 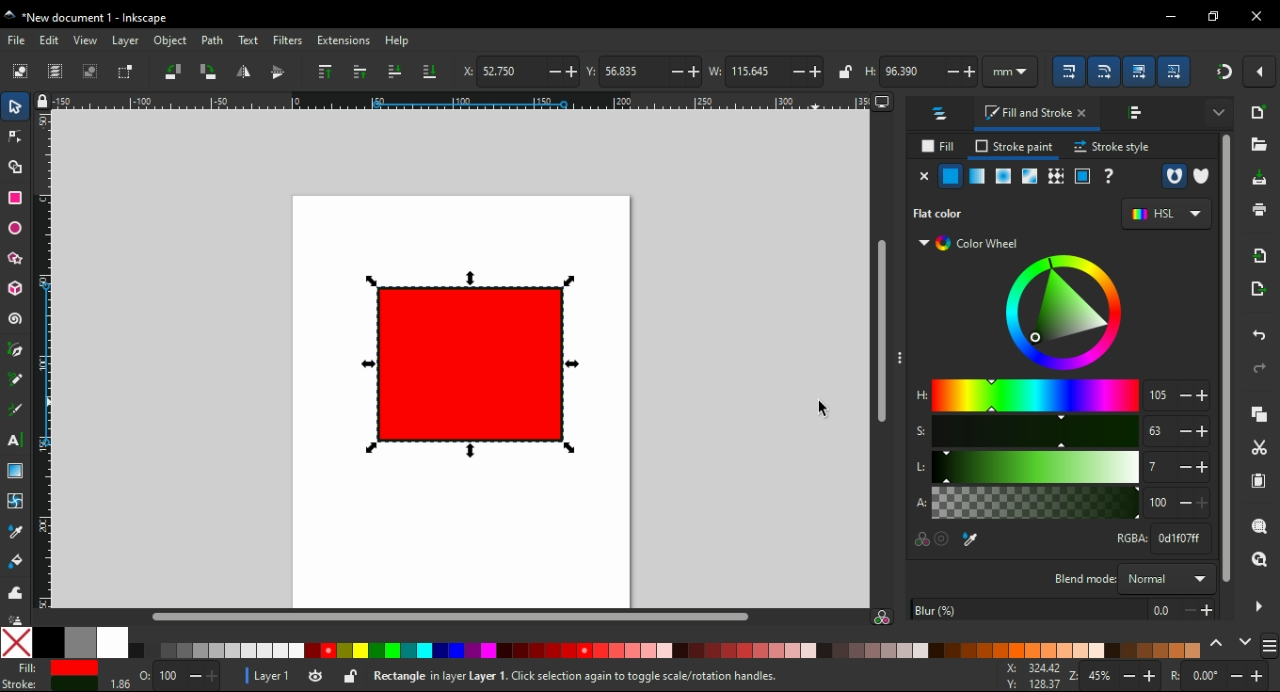 I want to click on 100, so click(x=1158, y=431).